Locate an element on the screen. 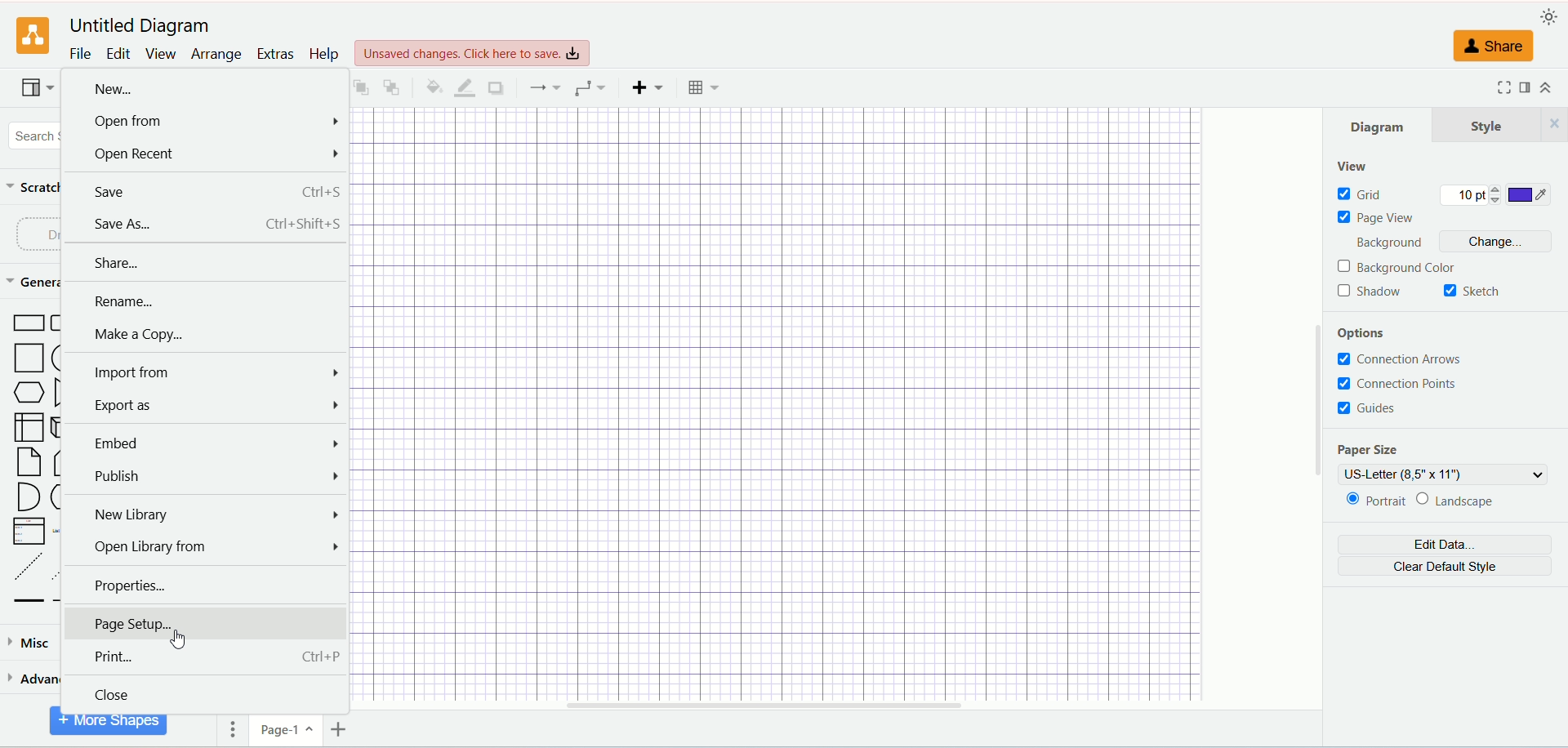 Image resolution: width=1568 pixels, height=748 pixels. edit is located at coordinates (120, 53).